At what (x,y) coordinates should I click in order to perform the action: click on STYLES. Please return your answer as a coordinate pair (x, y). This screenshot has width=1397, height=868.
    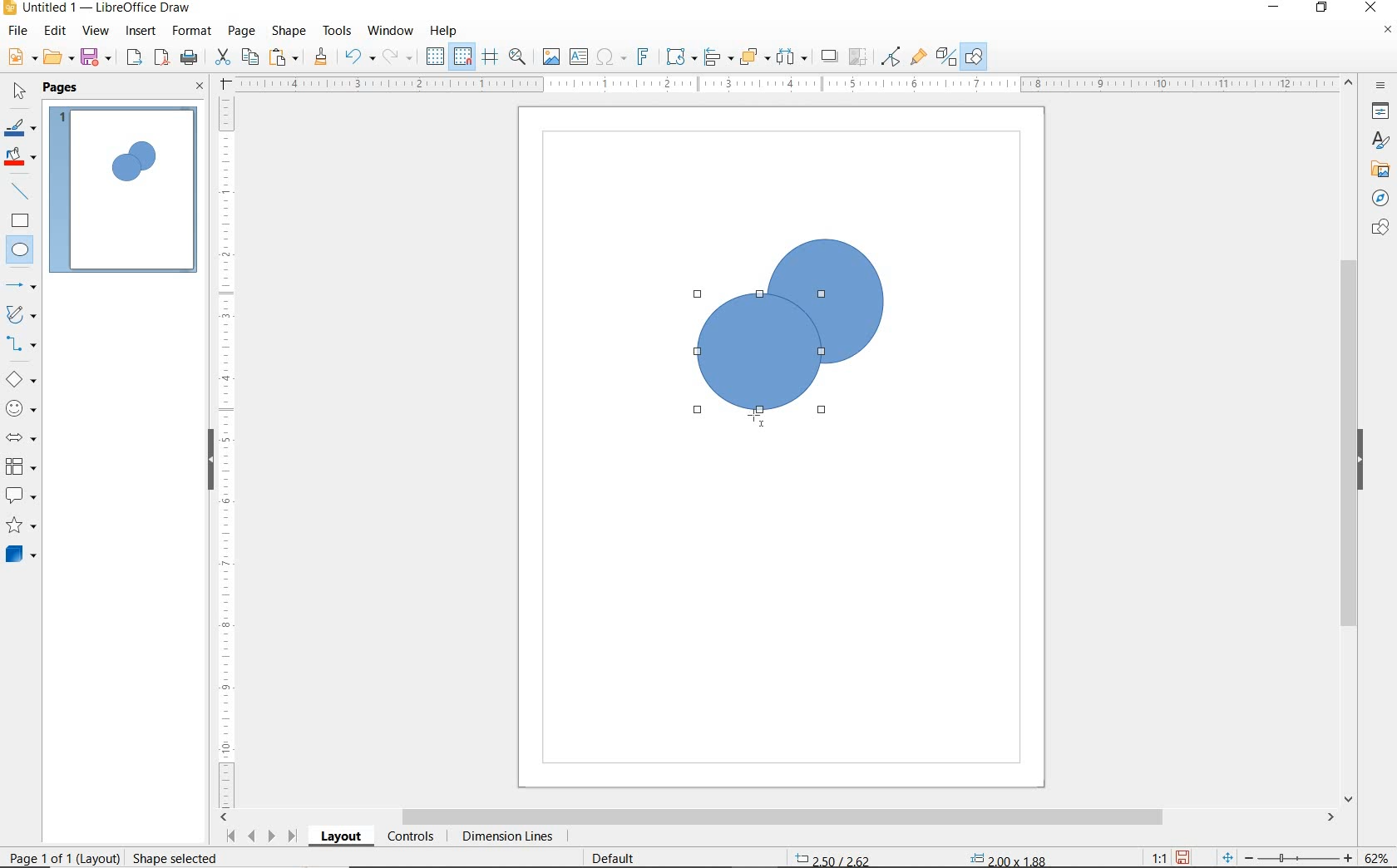
    Looking at the image, I should click on (1376, 143).